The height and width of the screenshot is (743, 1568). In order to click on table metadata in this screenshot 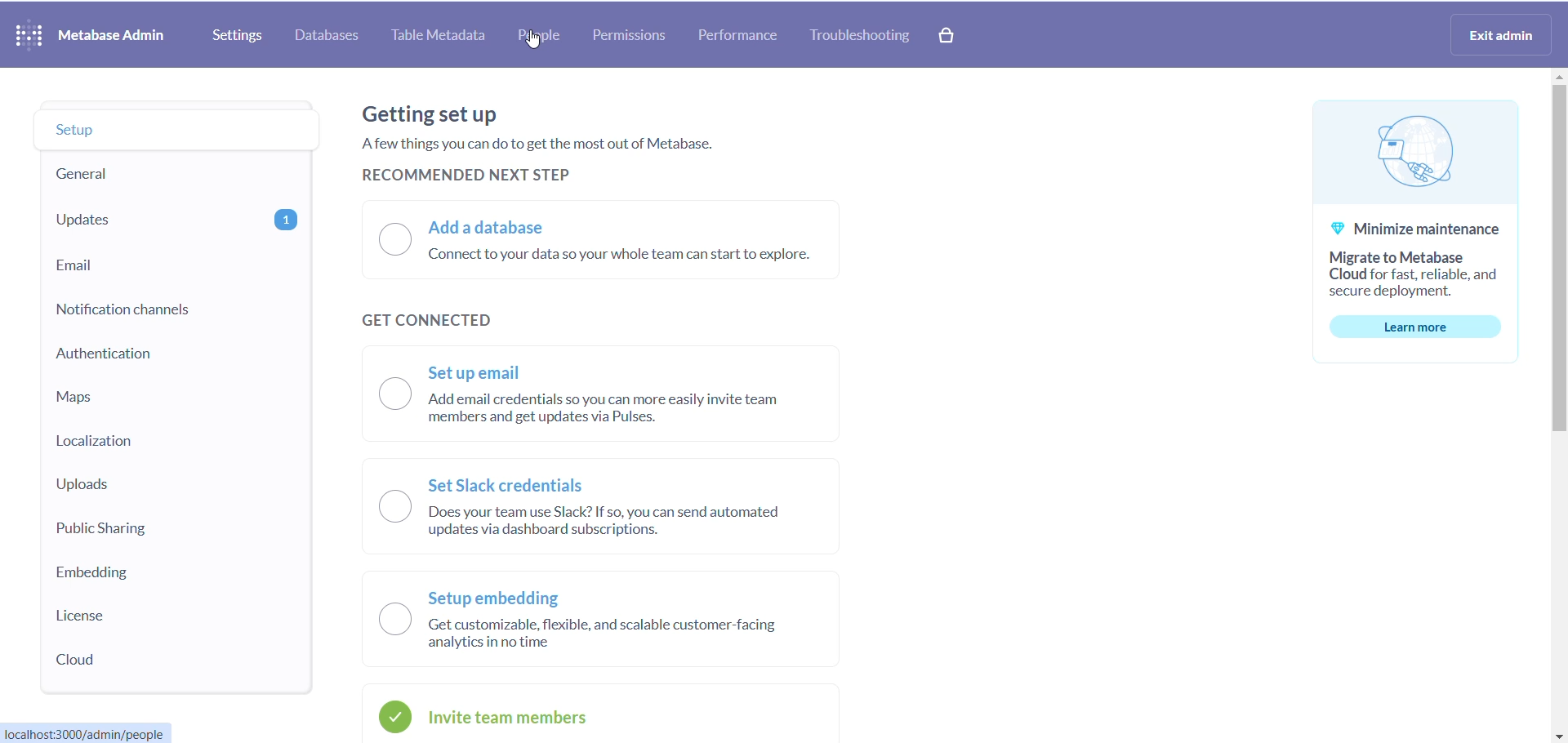, I will do `click(439, 34)`.